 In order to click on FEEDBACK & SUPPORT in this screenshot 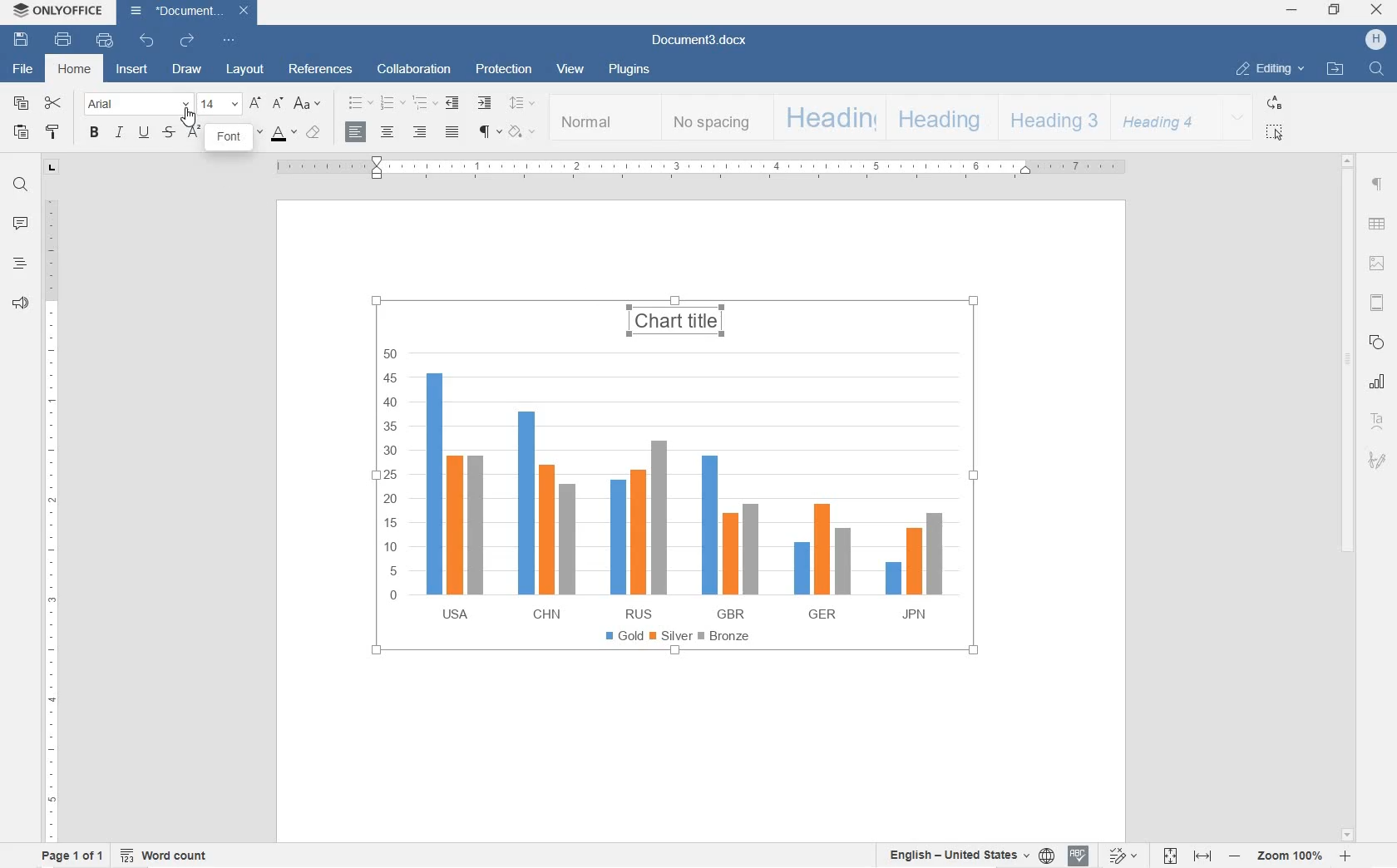, I will do `click(21, 303)`.